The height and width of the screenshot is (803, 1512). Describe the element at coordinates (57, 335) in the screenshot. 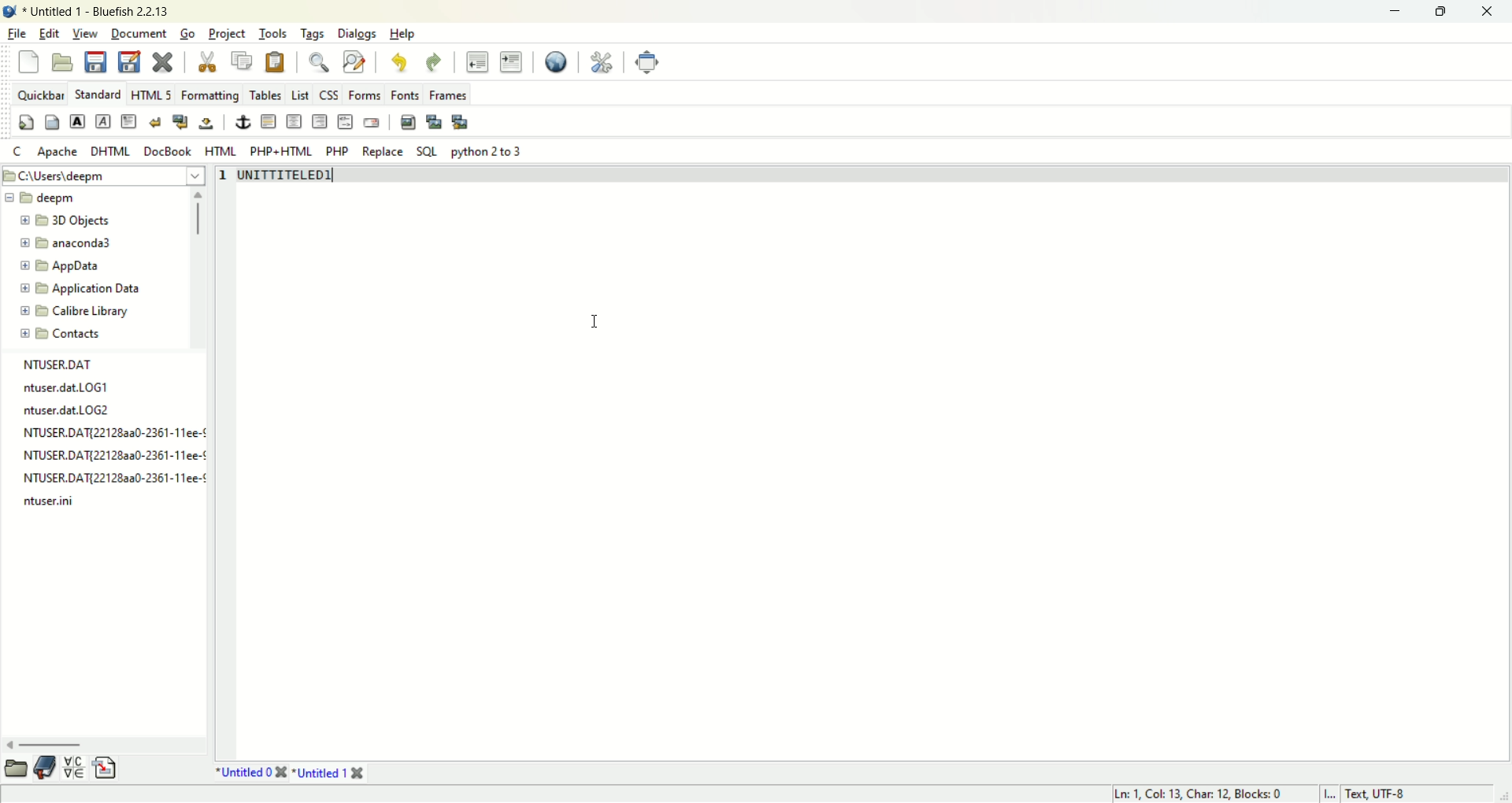

I see `contacts` at that location.